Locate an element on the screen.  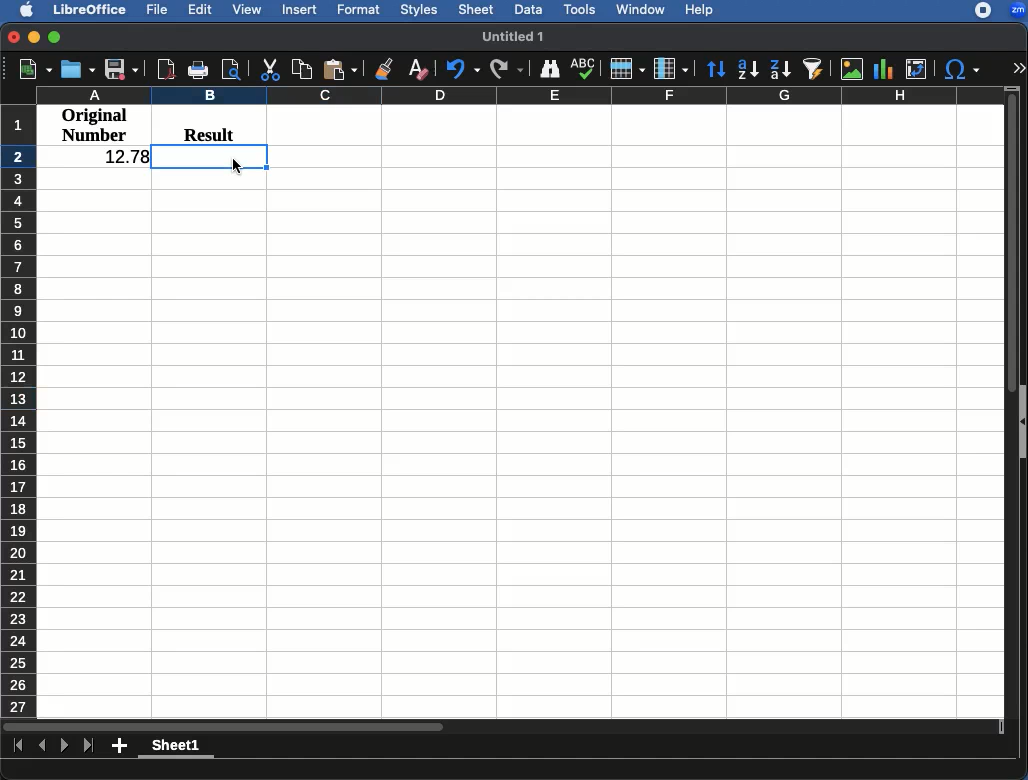
Open is located at coordinates (78, 69).